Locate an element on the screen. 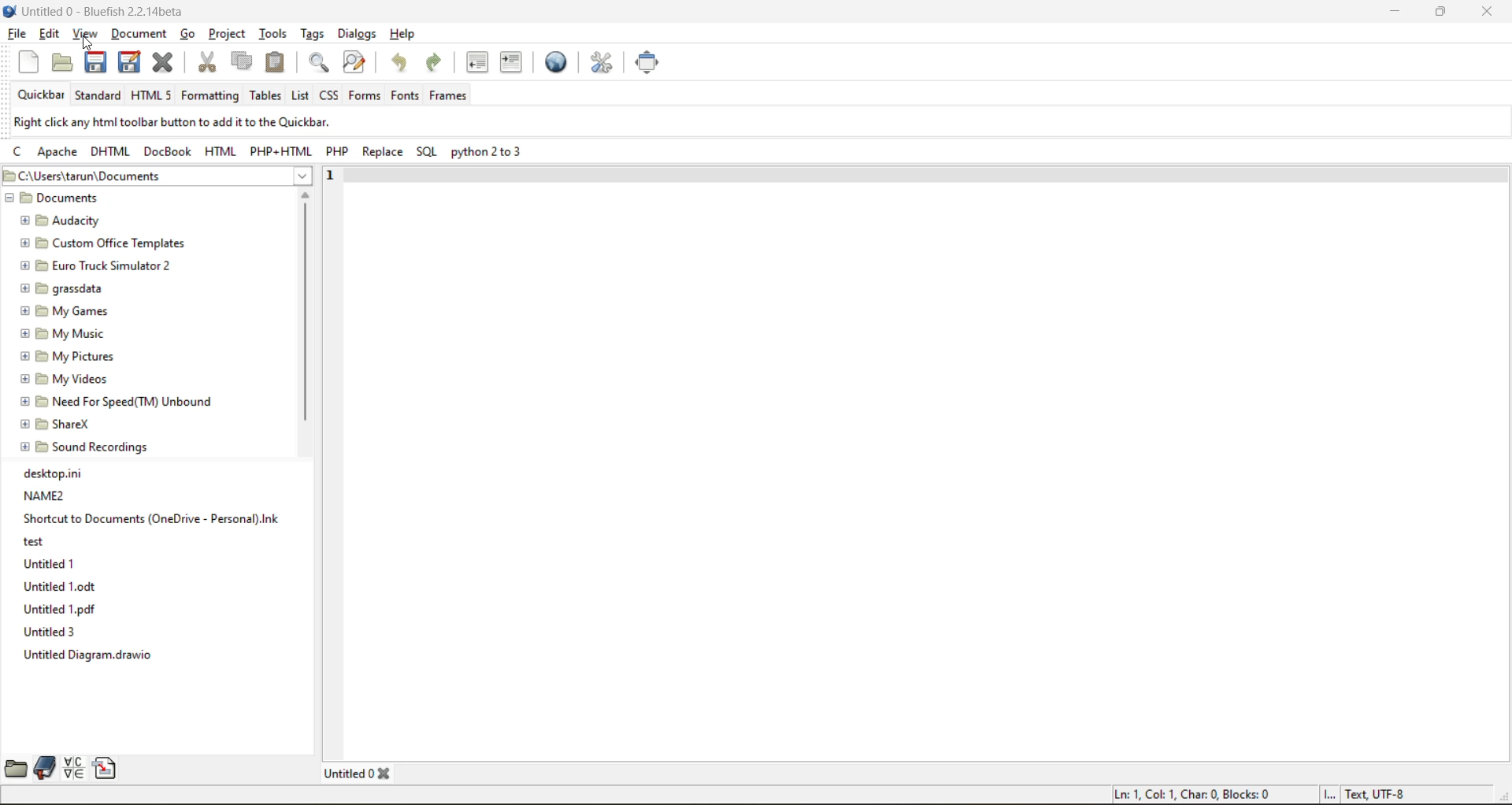 Image resolution: width=1512 pixels, height=805 pixels. sql is located at coordinates (430, 153).